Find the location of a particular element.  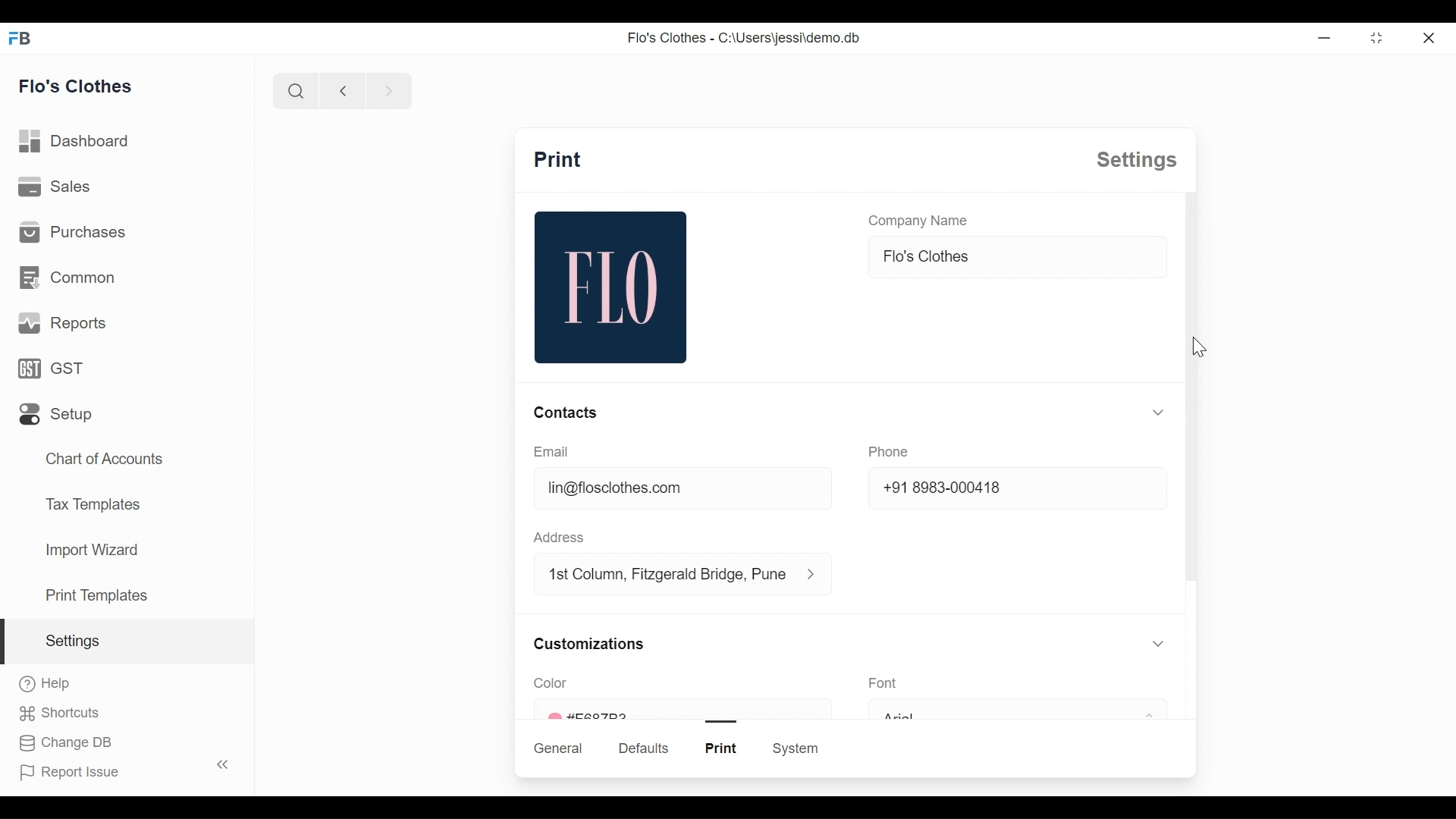

dashboard is located at coordinates (75, 141).